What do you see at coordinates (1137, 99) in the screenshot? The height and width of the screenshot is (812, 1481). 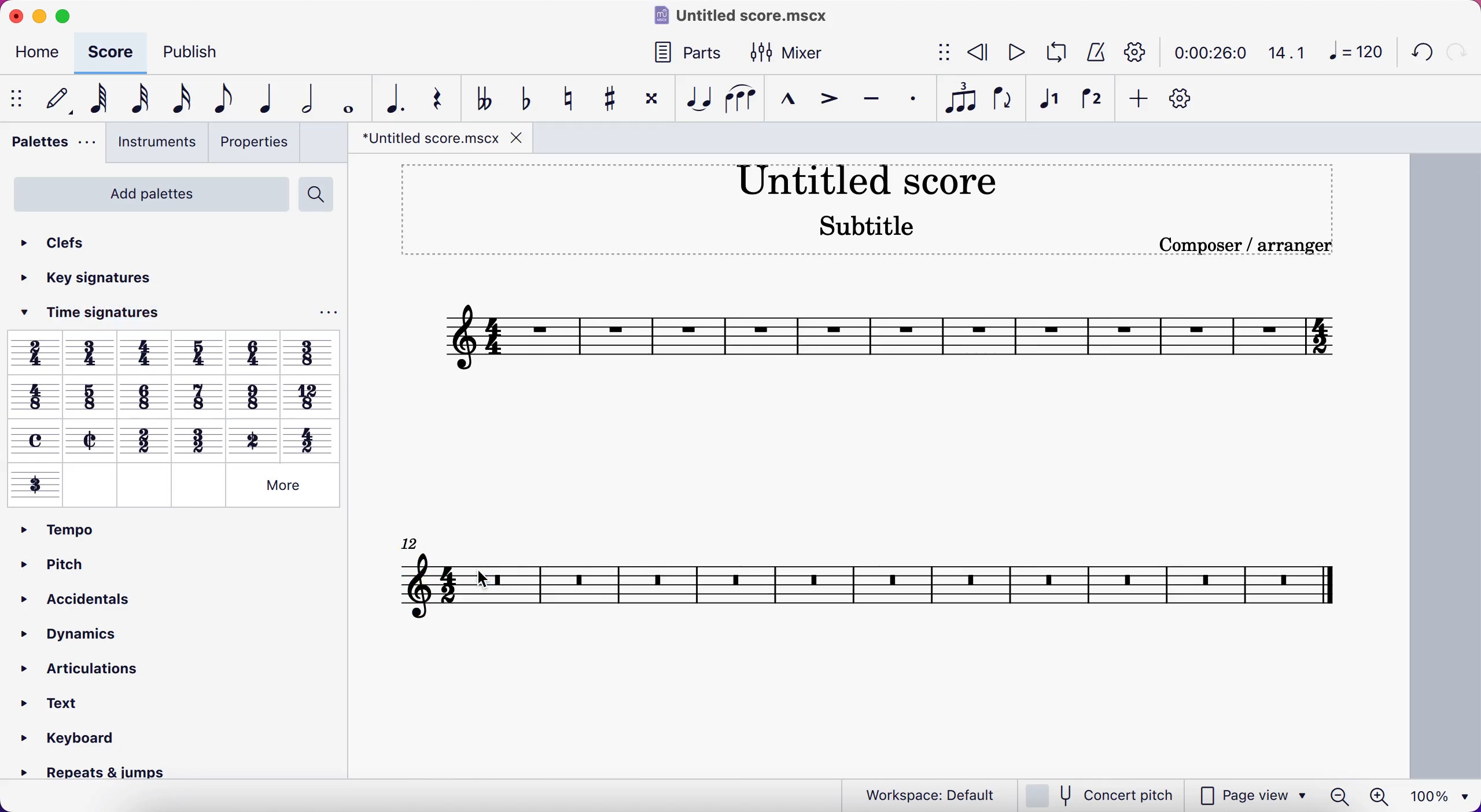 I see `add` at bounding box center [1137, 99].